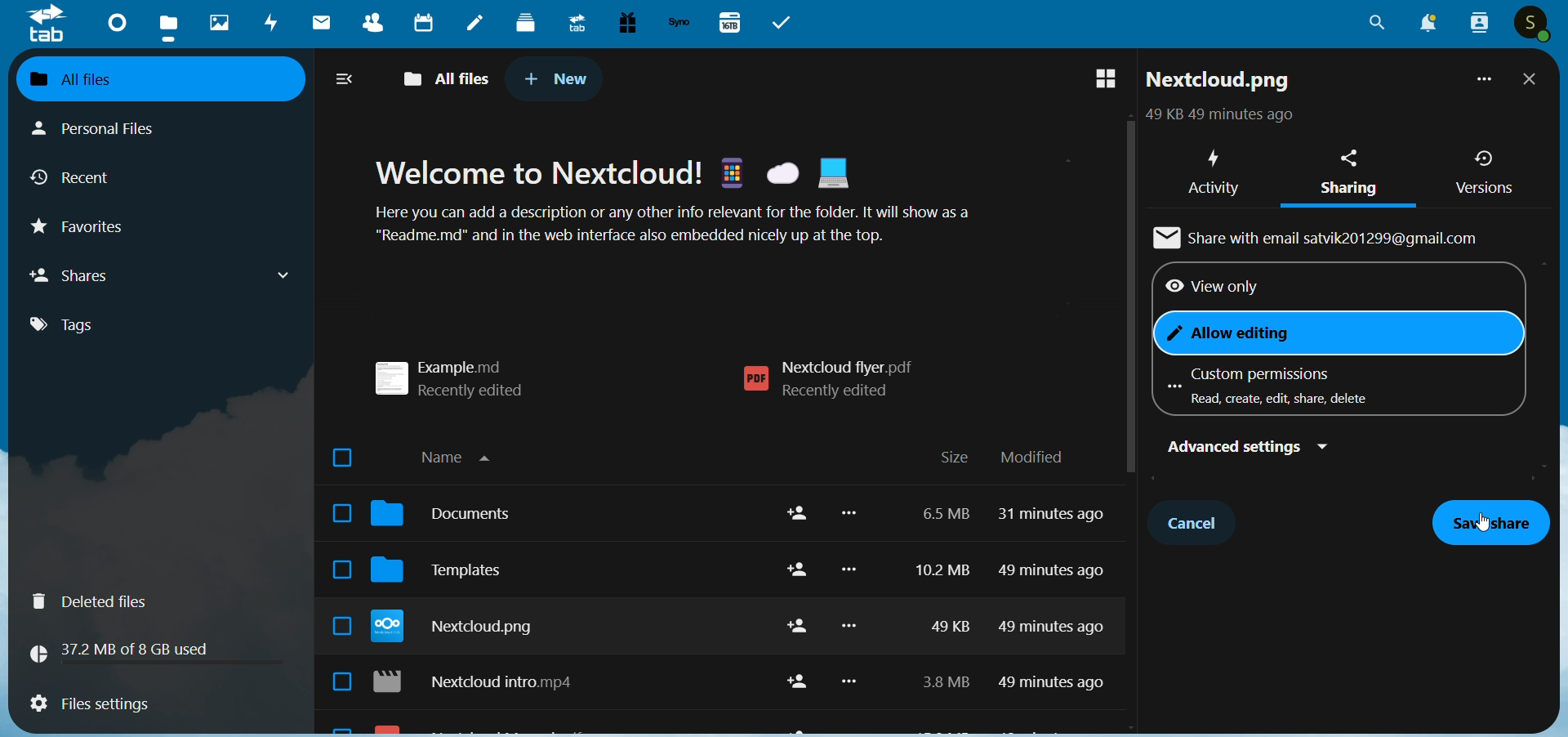 The height and width of the screenshot is (737, 1568). Describe the element at coordinates (1196, 520) in the screenshot. I see `cancel` at that location.